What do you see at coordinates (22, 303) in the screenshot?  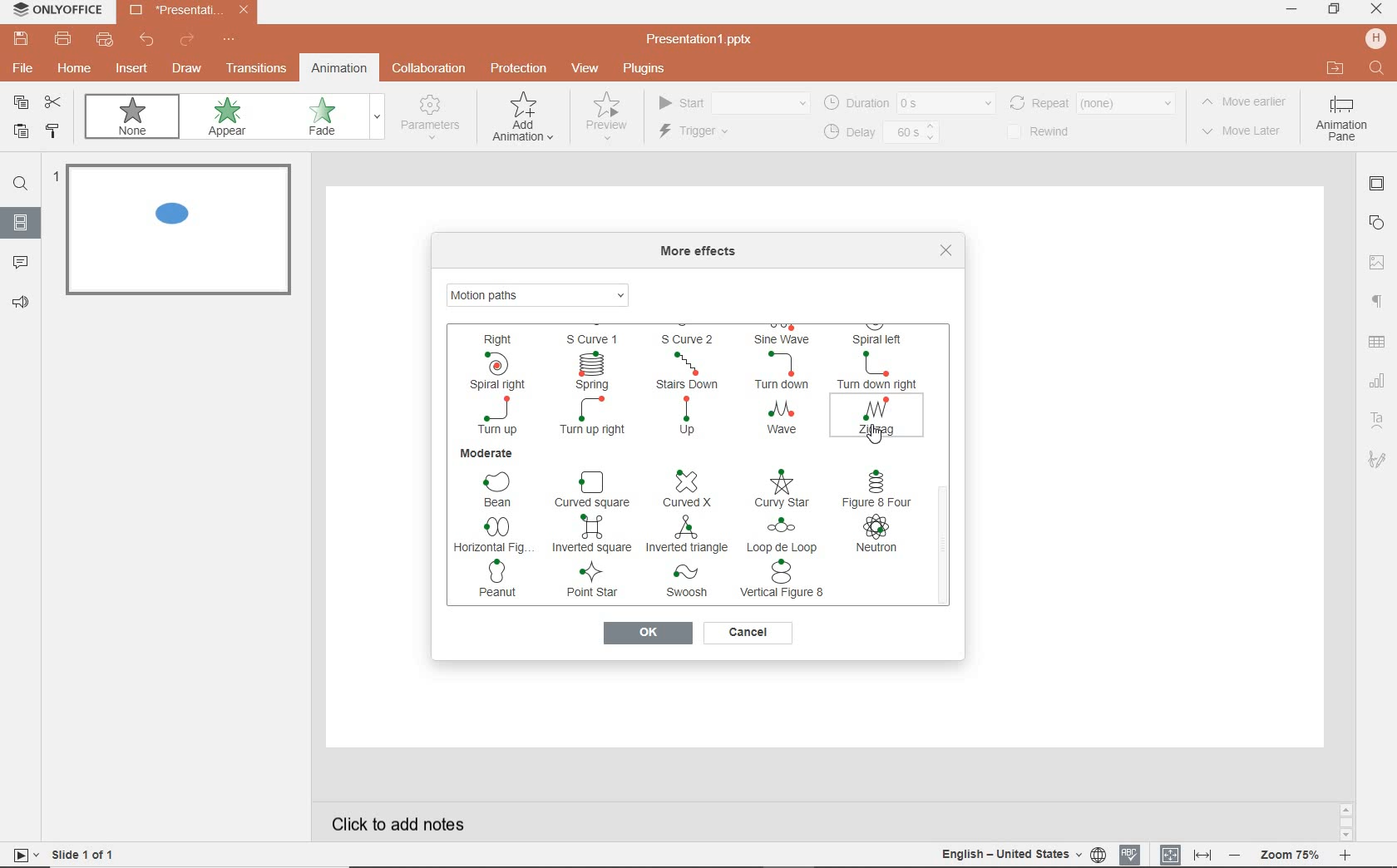 I see `feedback & support` at bounding box center [22, 303].